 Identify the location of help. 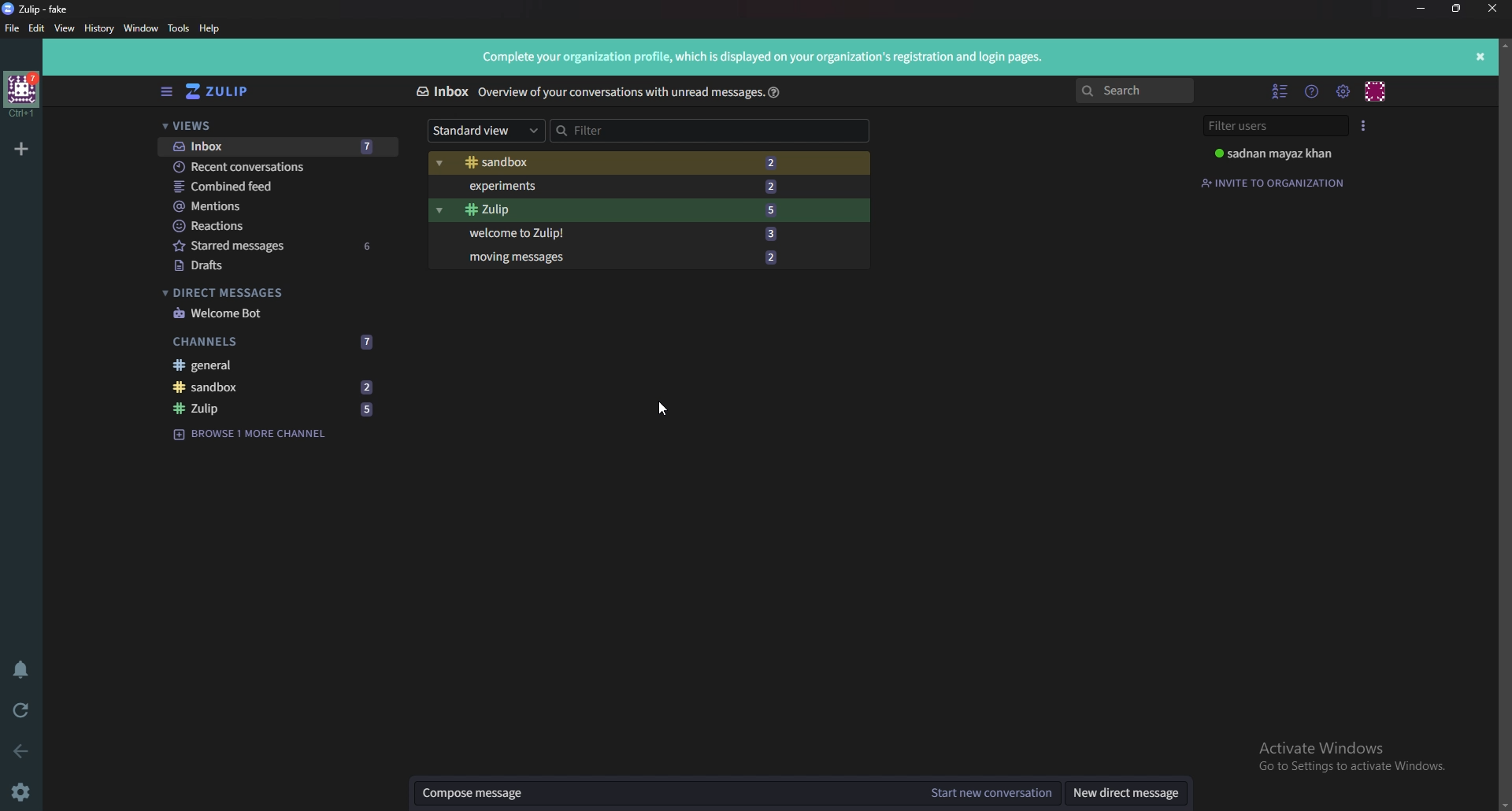
(774, 91).